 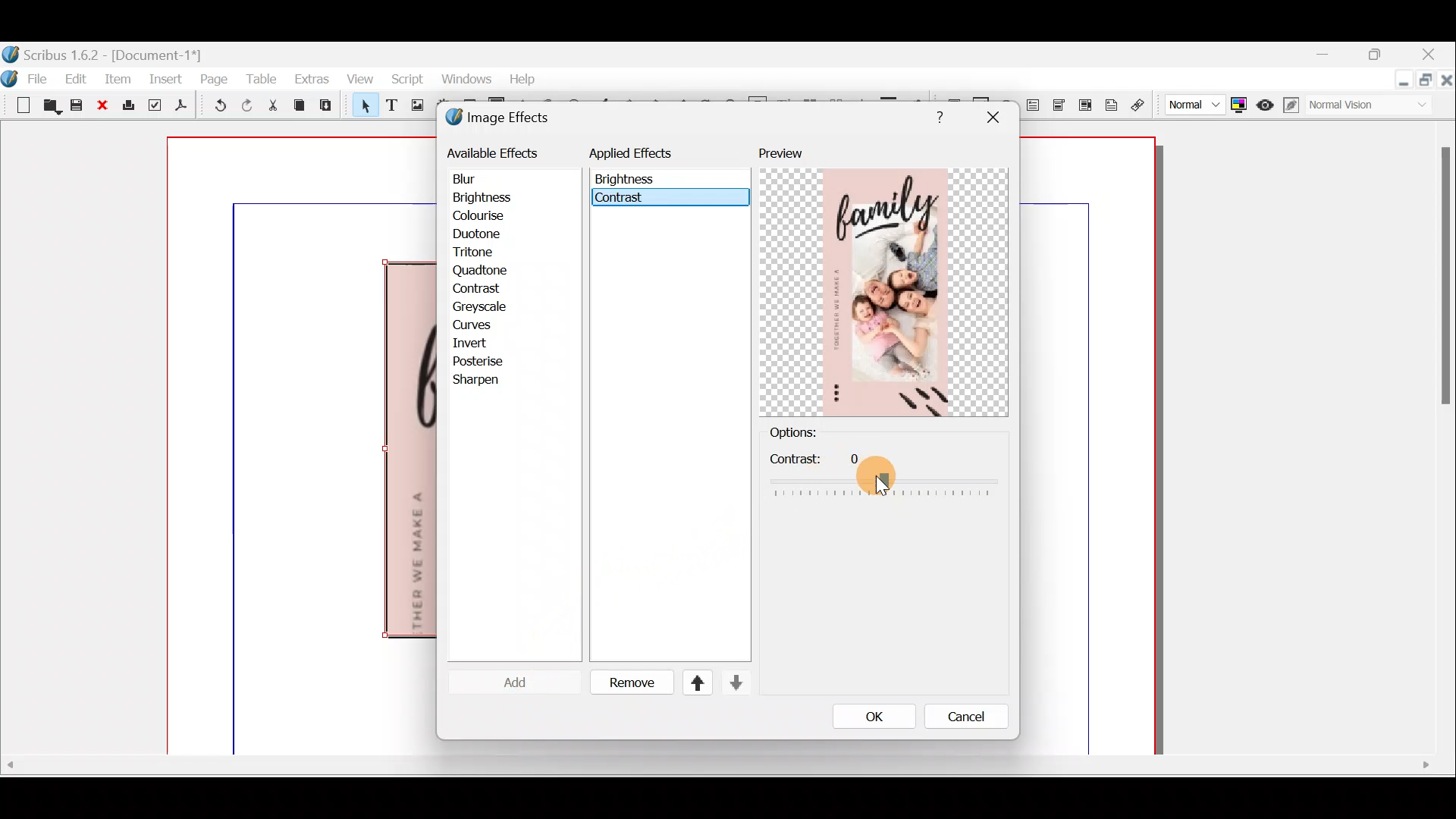 I want to click on New, so click(x=17, y=104).